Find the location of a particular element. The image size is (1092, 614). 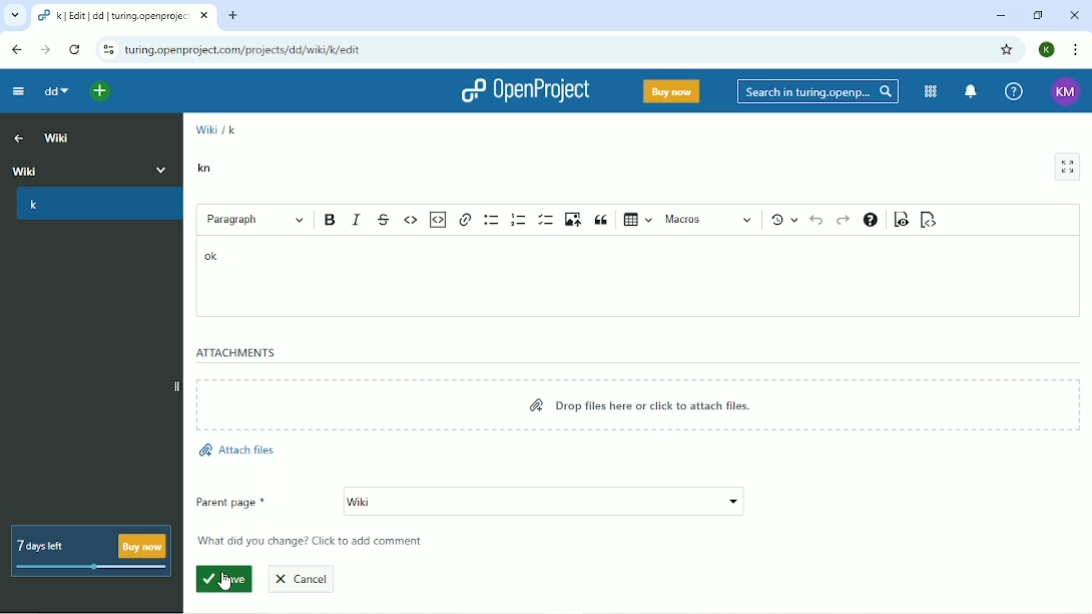

Italic is located at coordinates (356, 219).